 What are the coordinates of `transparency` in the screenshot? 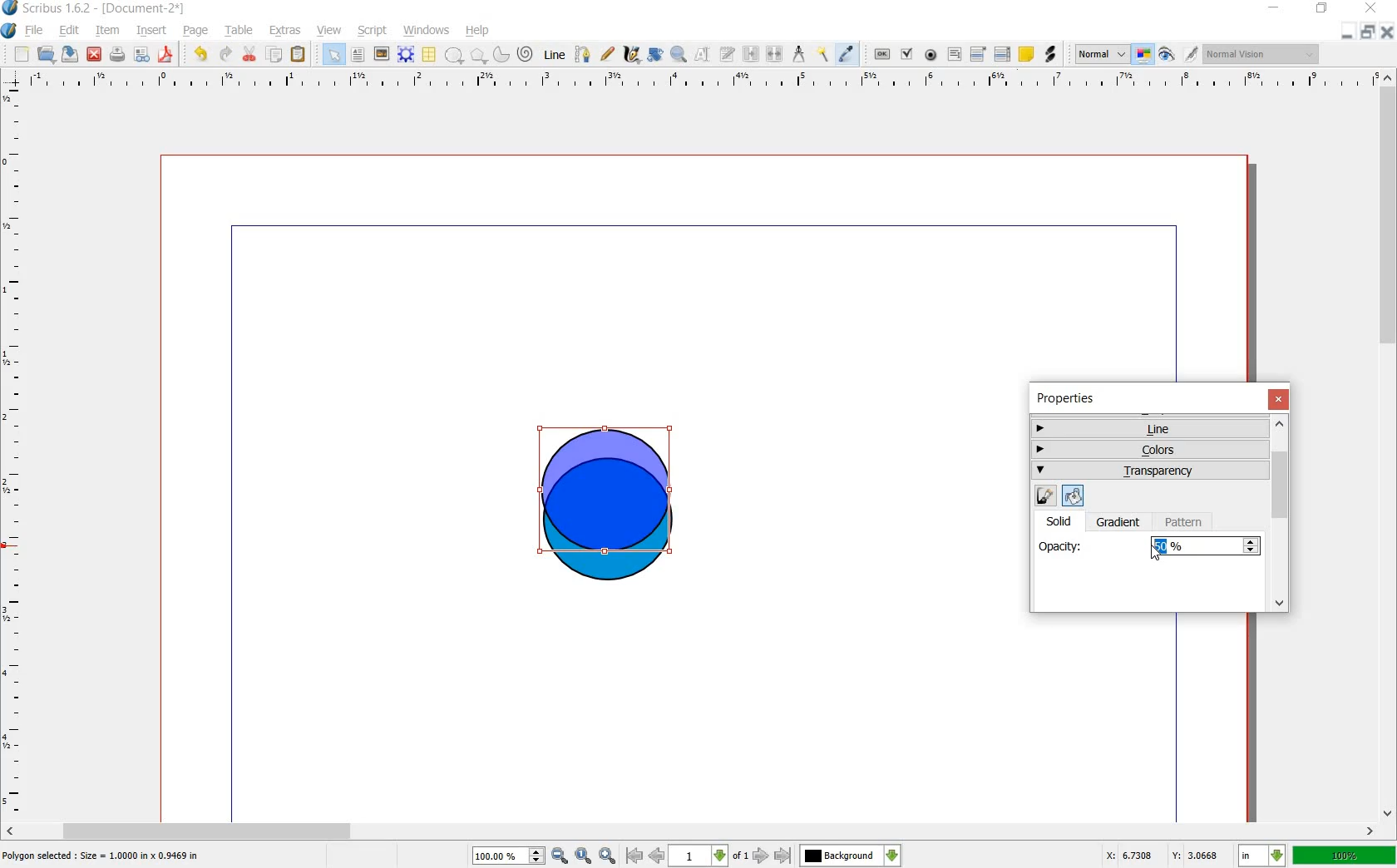 It's located at (1151, 471).